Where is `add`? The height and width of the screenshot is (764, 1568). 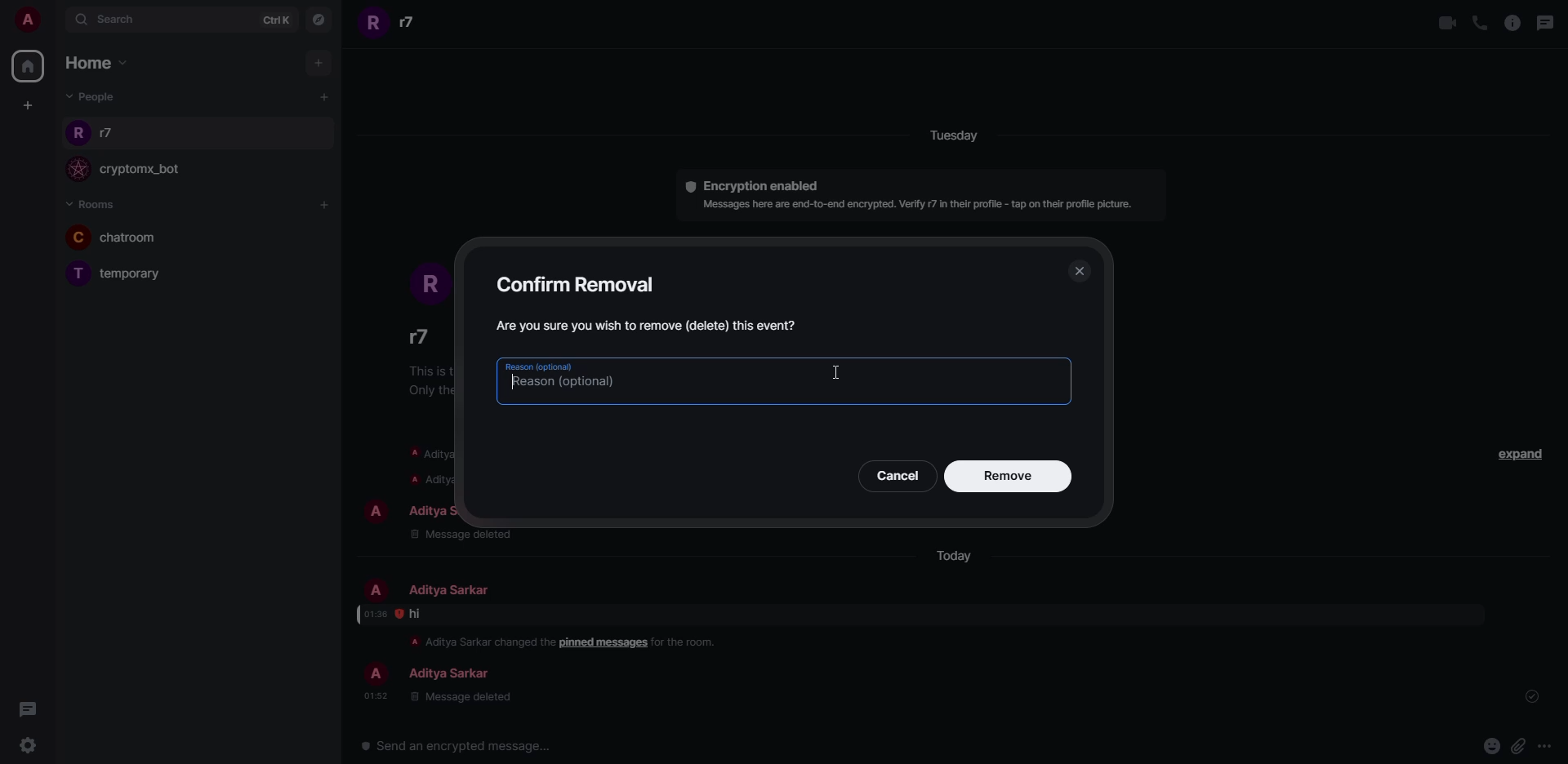
add is located at coordinates (323, 95).